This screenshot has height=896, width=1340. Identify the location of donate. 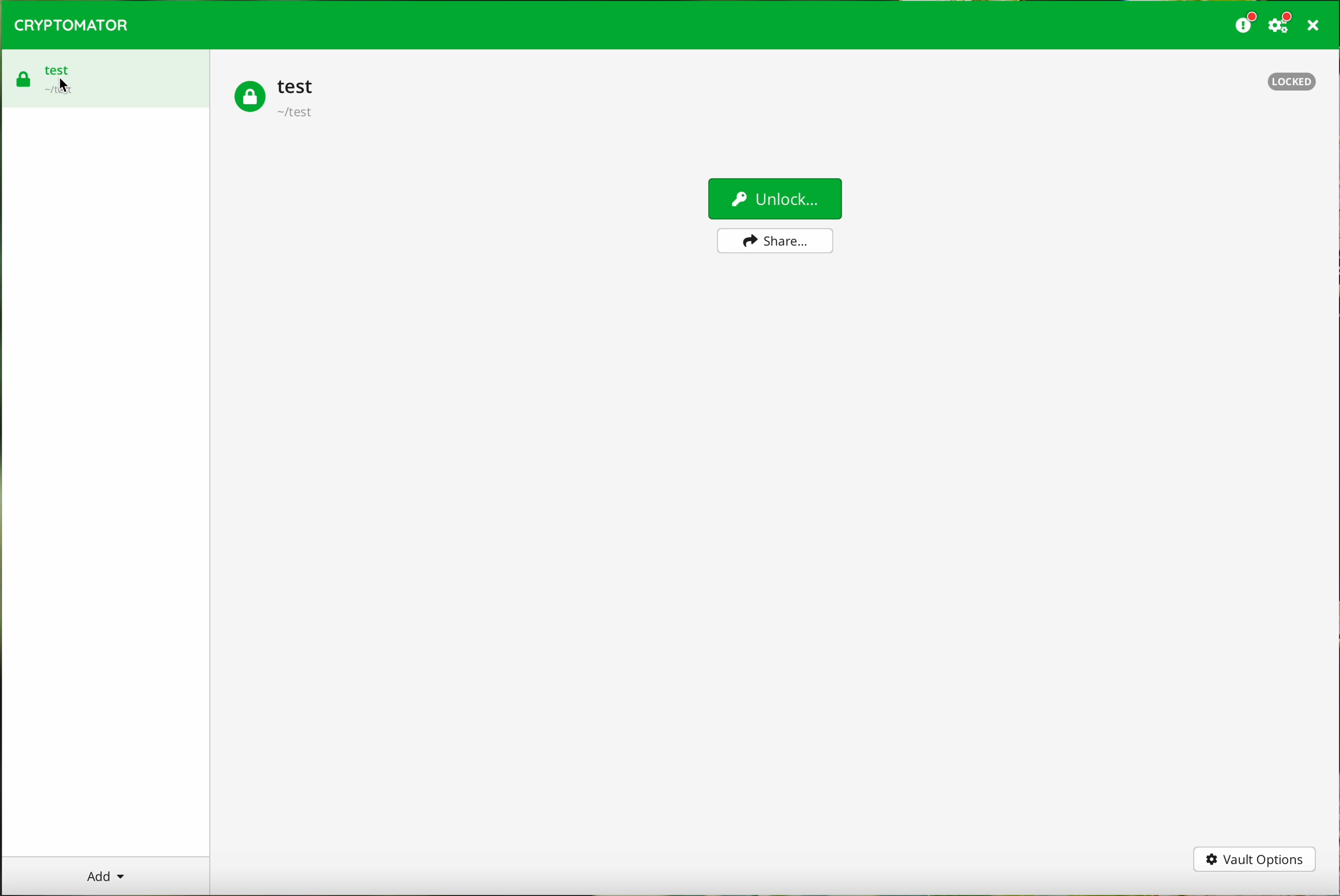
(1243, 25).